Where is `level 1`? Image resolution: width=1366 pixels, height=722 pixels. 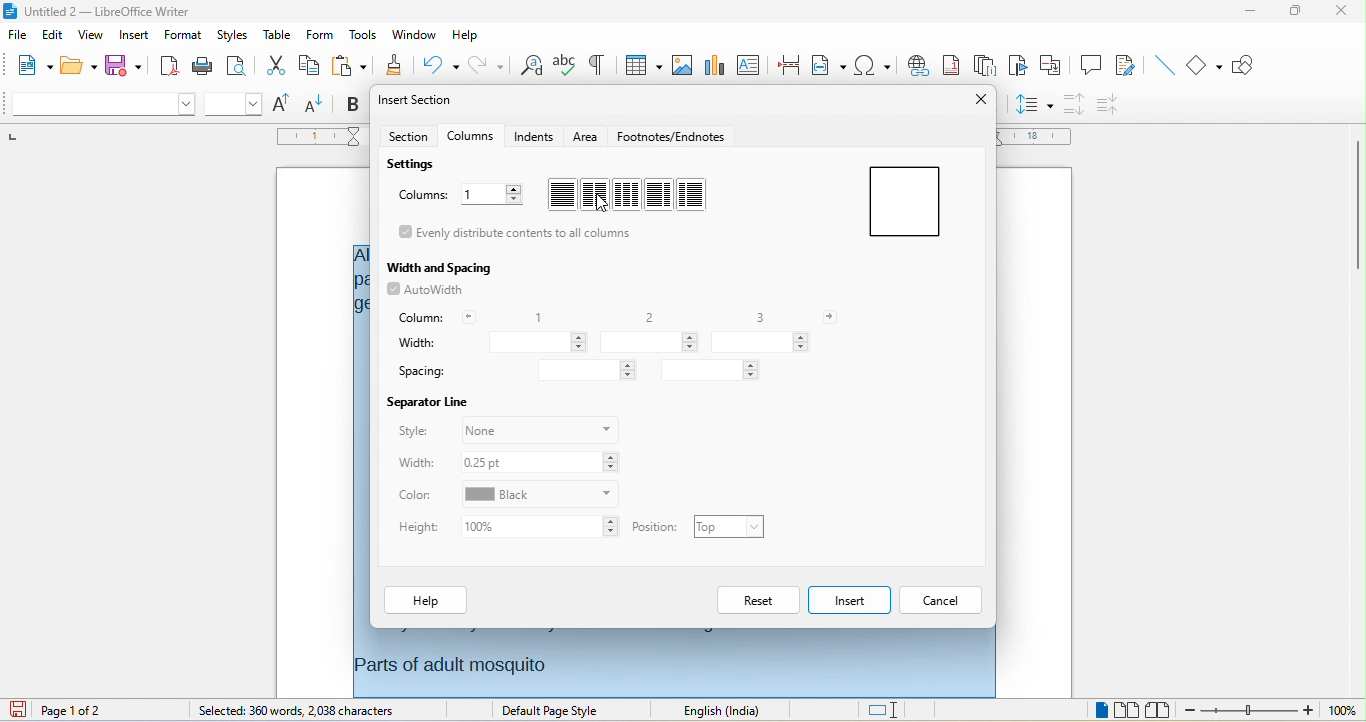
level 1 is located at coordinates (1023, 712).